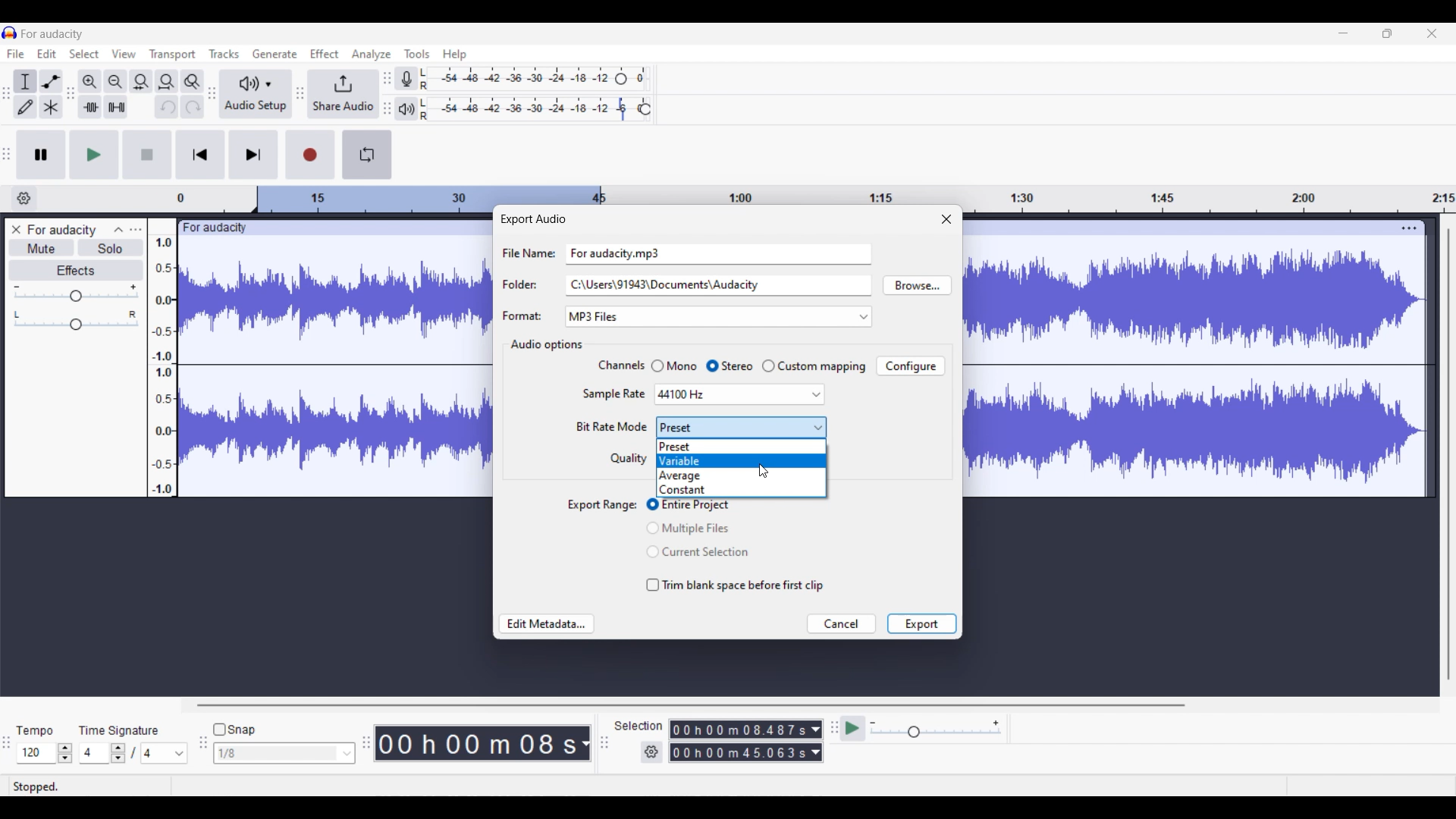 Image resolution: width=1456 pixels, height=819 pixels. What do you see at coordinates (527, 284) in the screenshot?
I see `Indicates text box for respective setting options` at bounding box center [527, 284].